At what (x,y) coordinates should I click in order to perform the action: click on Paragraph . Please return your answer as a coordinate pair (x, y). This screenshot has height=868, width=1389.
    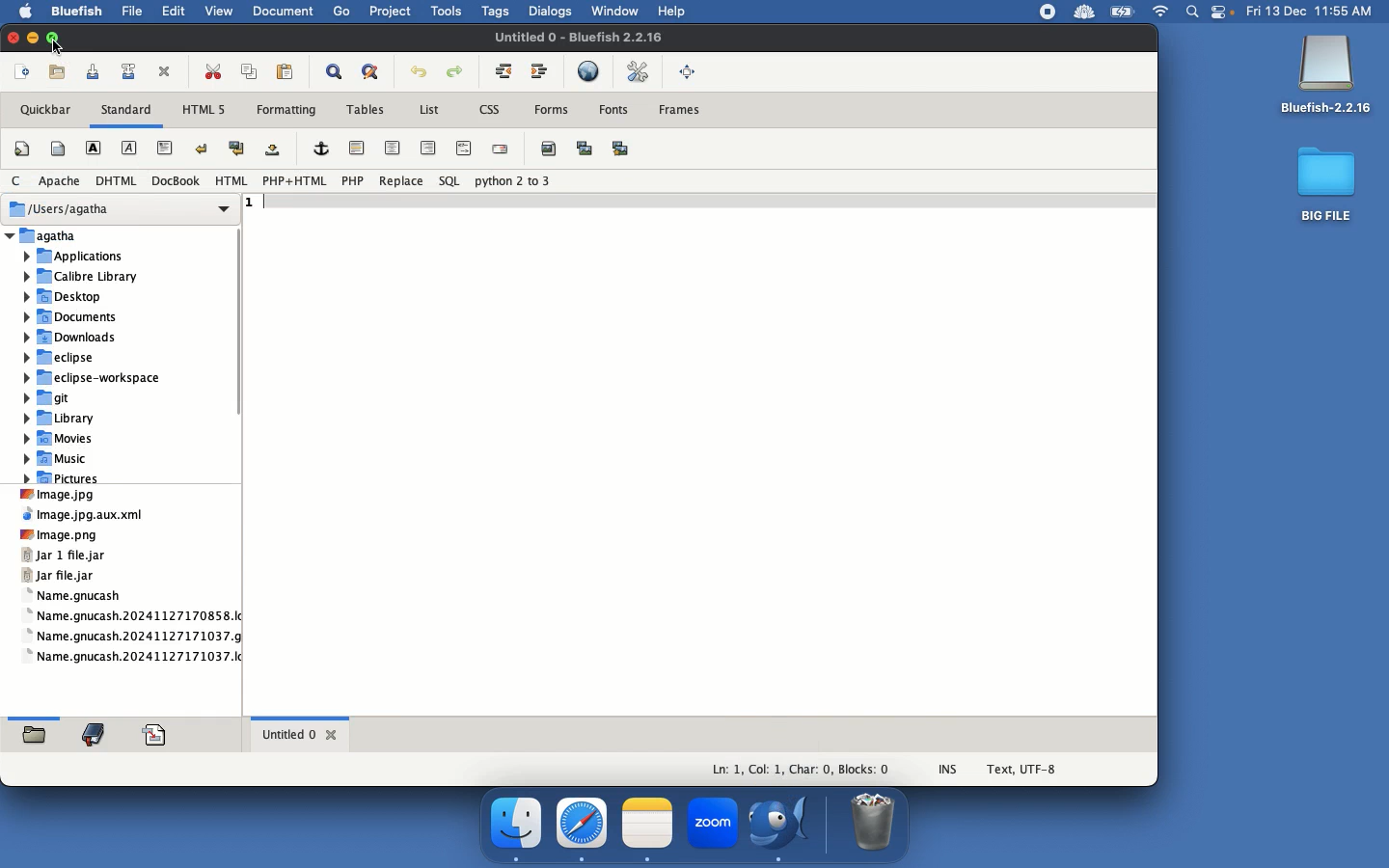
    Looking at the image, I should click on (165, 147).